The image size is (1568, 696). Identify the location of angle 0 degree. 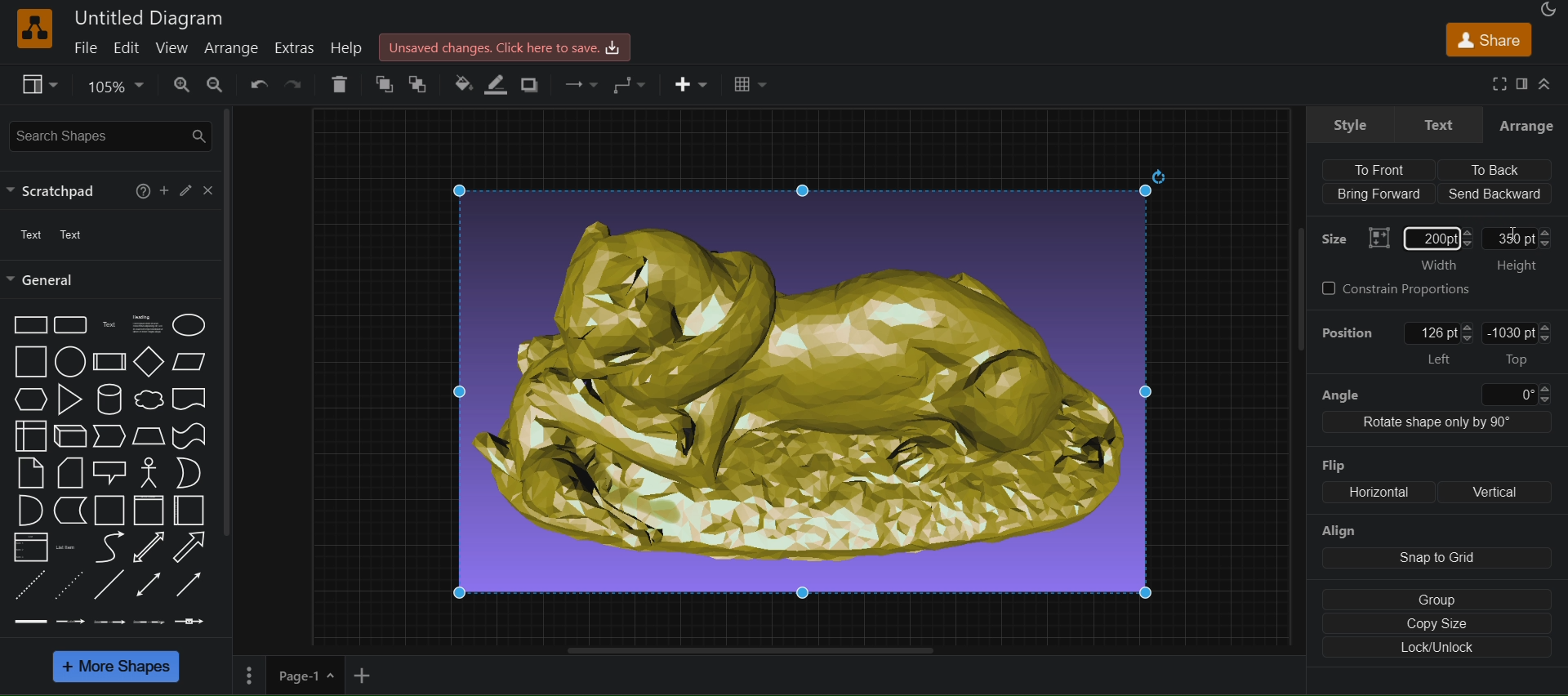
(1434, 392).